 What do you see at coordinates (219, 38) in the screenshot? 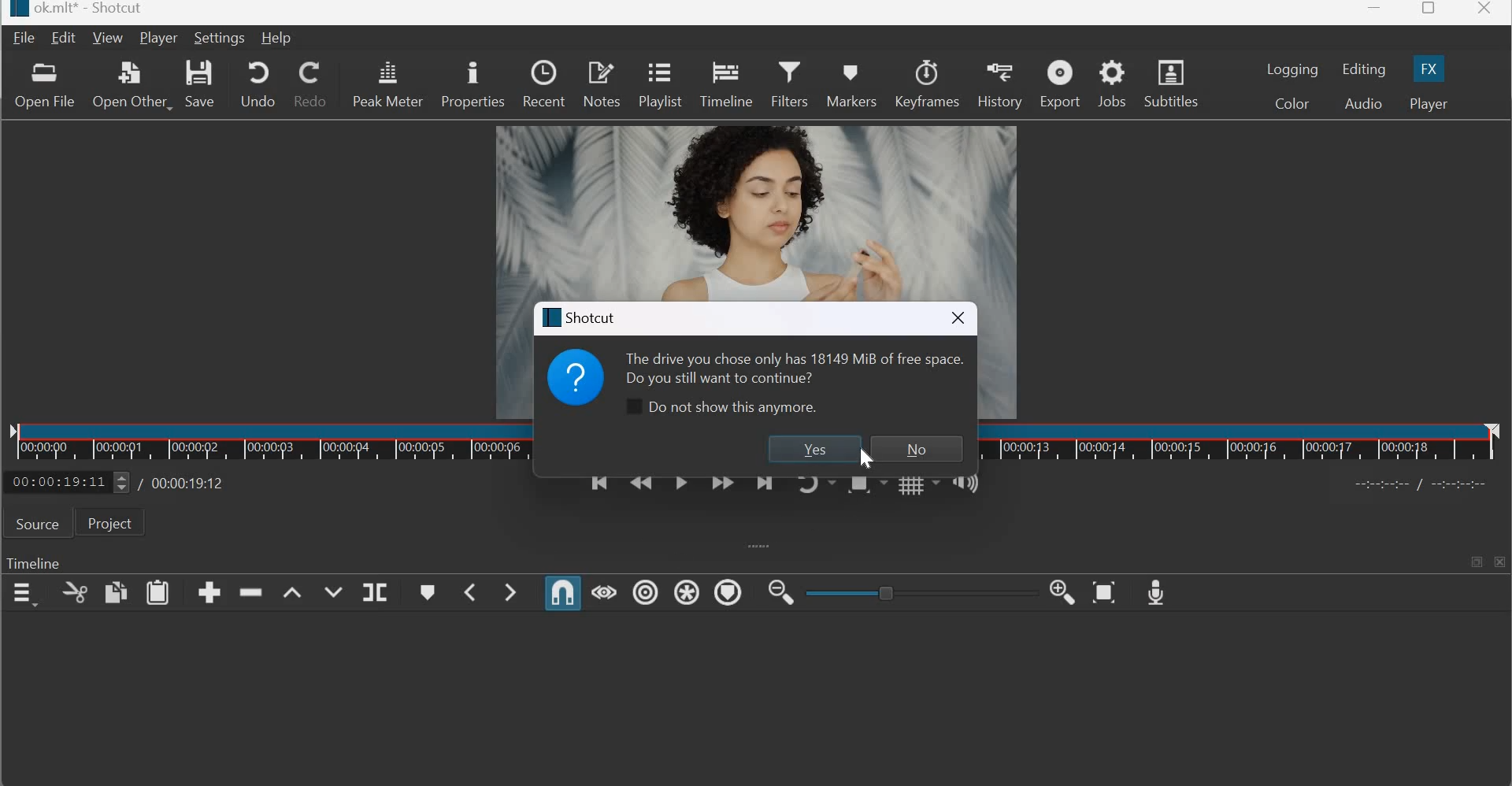
I see `Settings` at bounding box center [219, 38].